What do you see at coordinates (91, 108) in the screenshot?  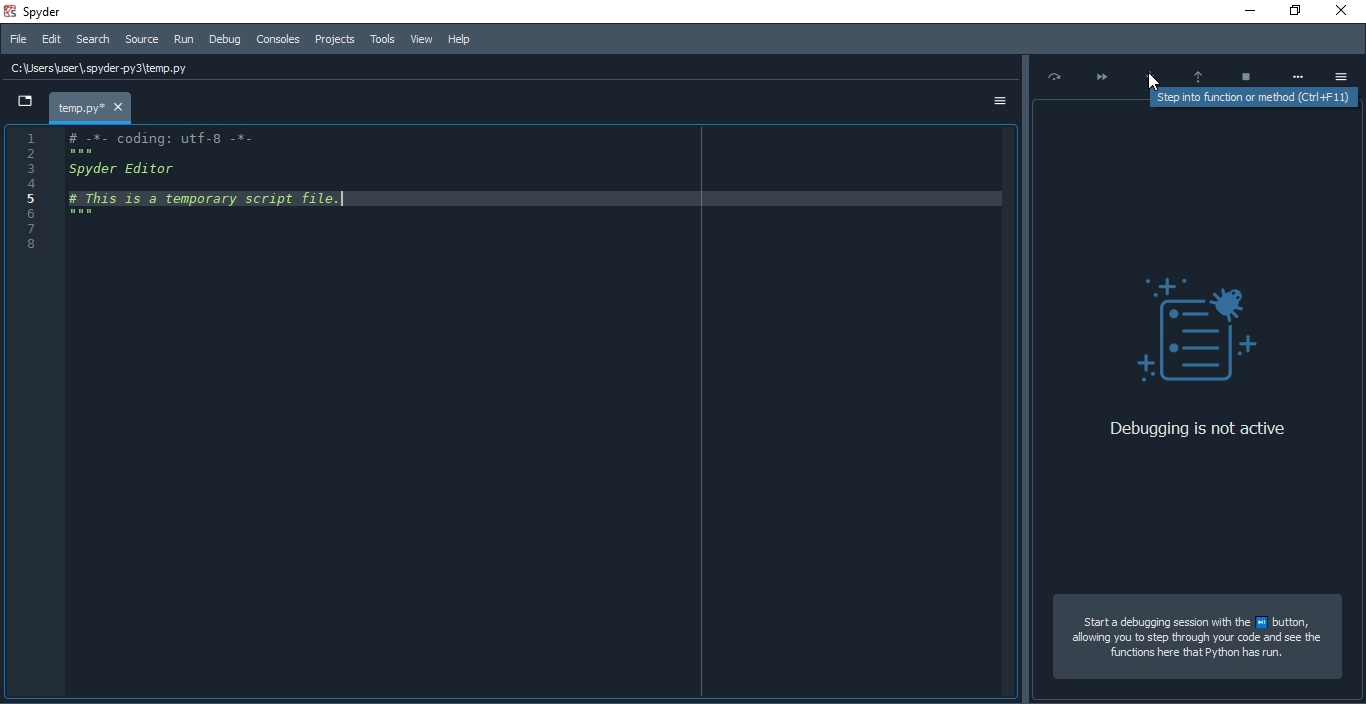 I see `temp.py` at bounding box center [91, 108].